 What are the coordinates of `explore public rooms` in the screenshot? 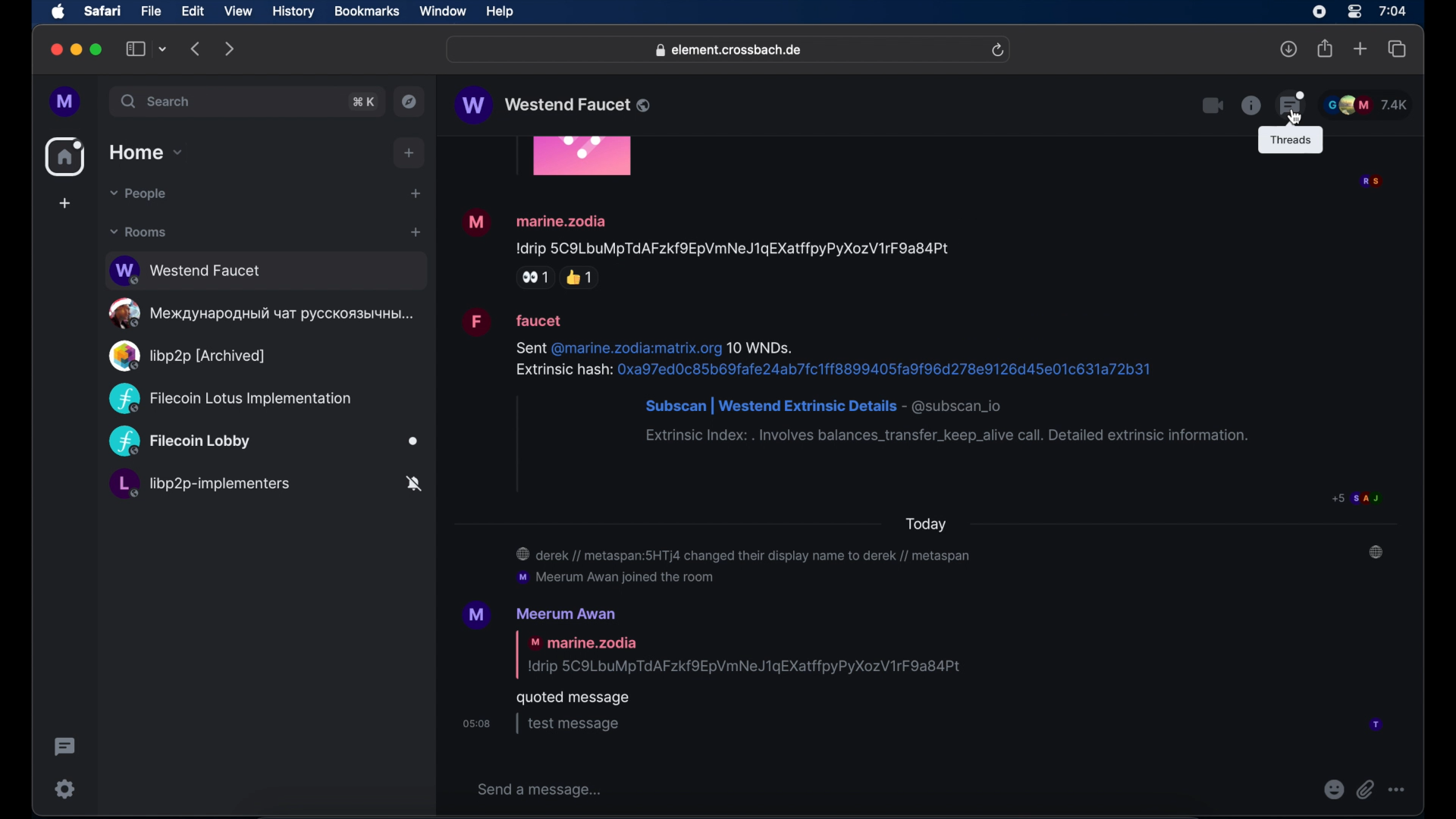 It's located at (410, 102).